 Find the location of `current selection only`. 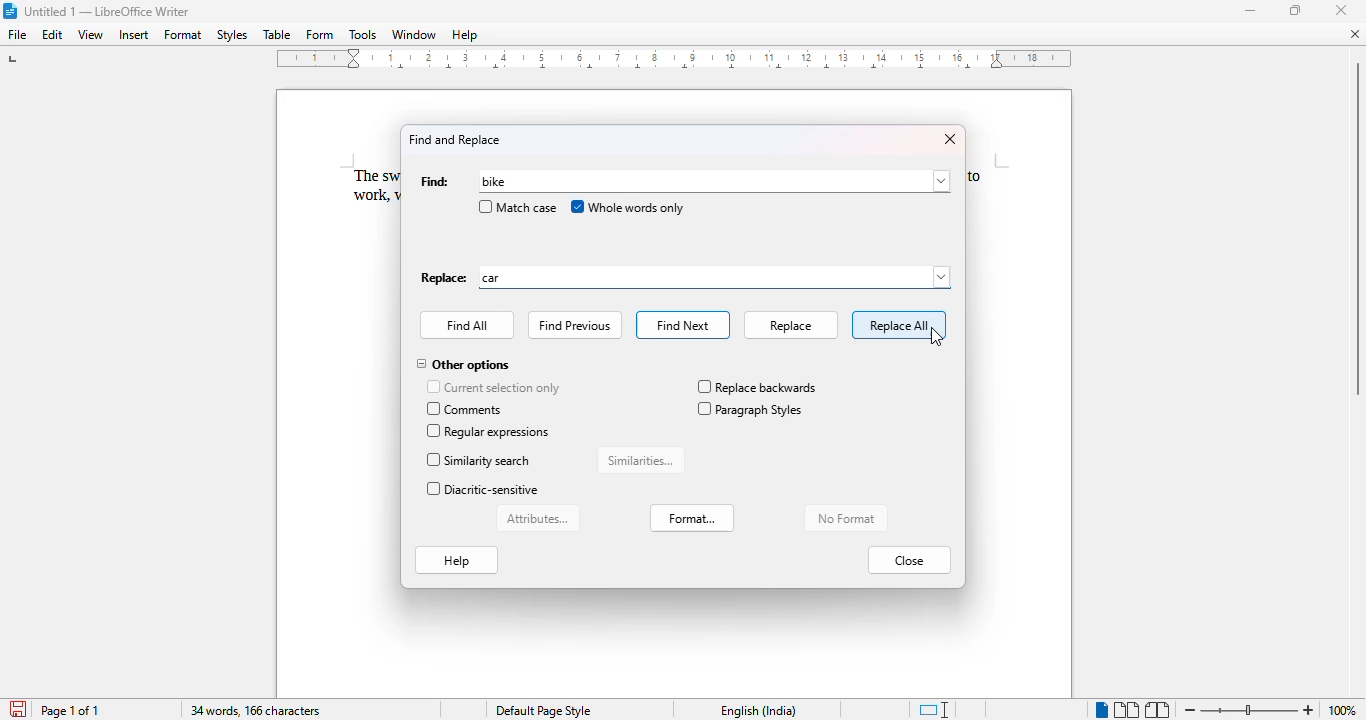

current selection only is located at coordinates (493, 387).